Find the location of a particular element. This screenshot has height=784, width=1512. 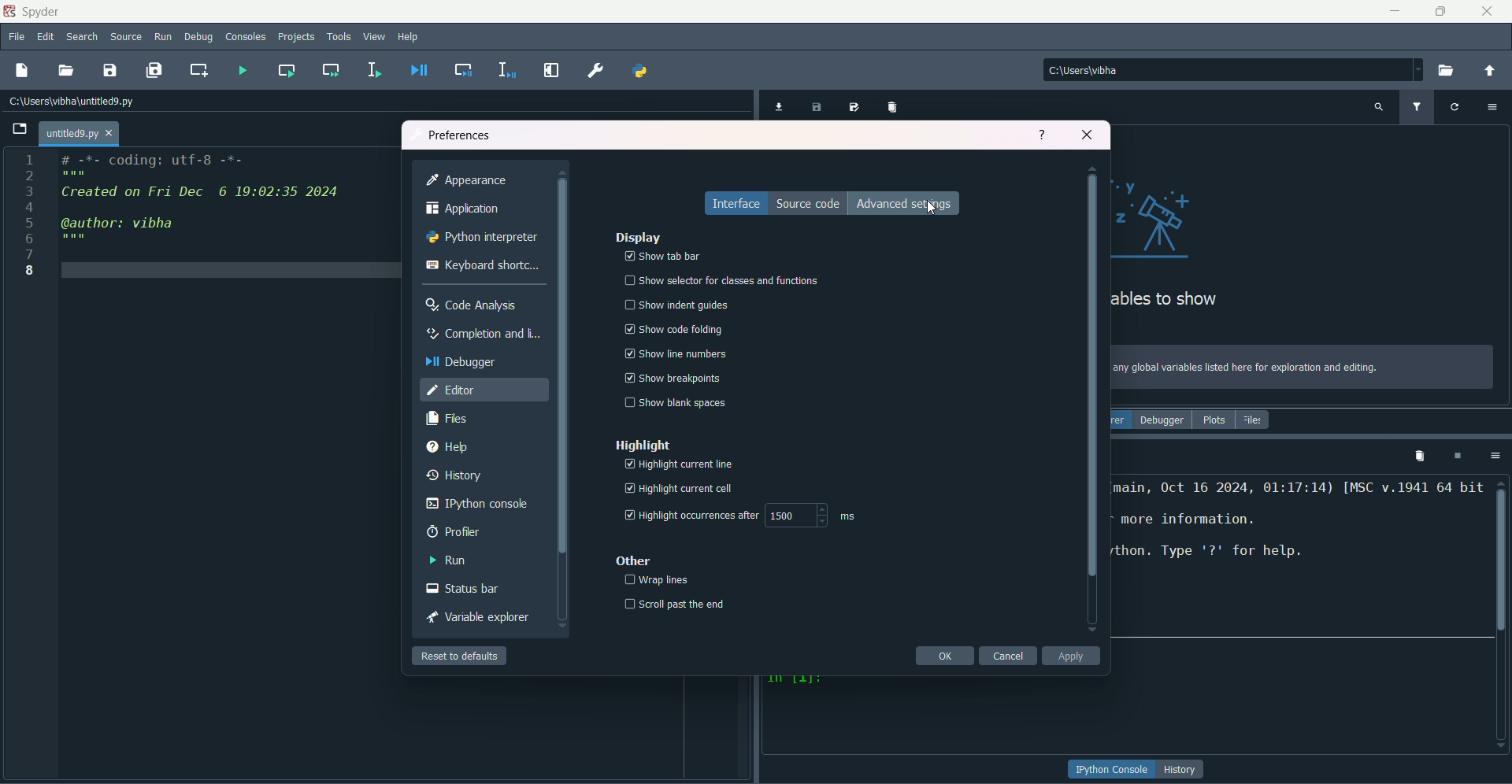

debug file is located at coordinates (414, 70).